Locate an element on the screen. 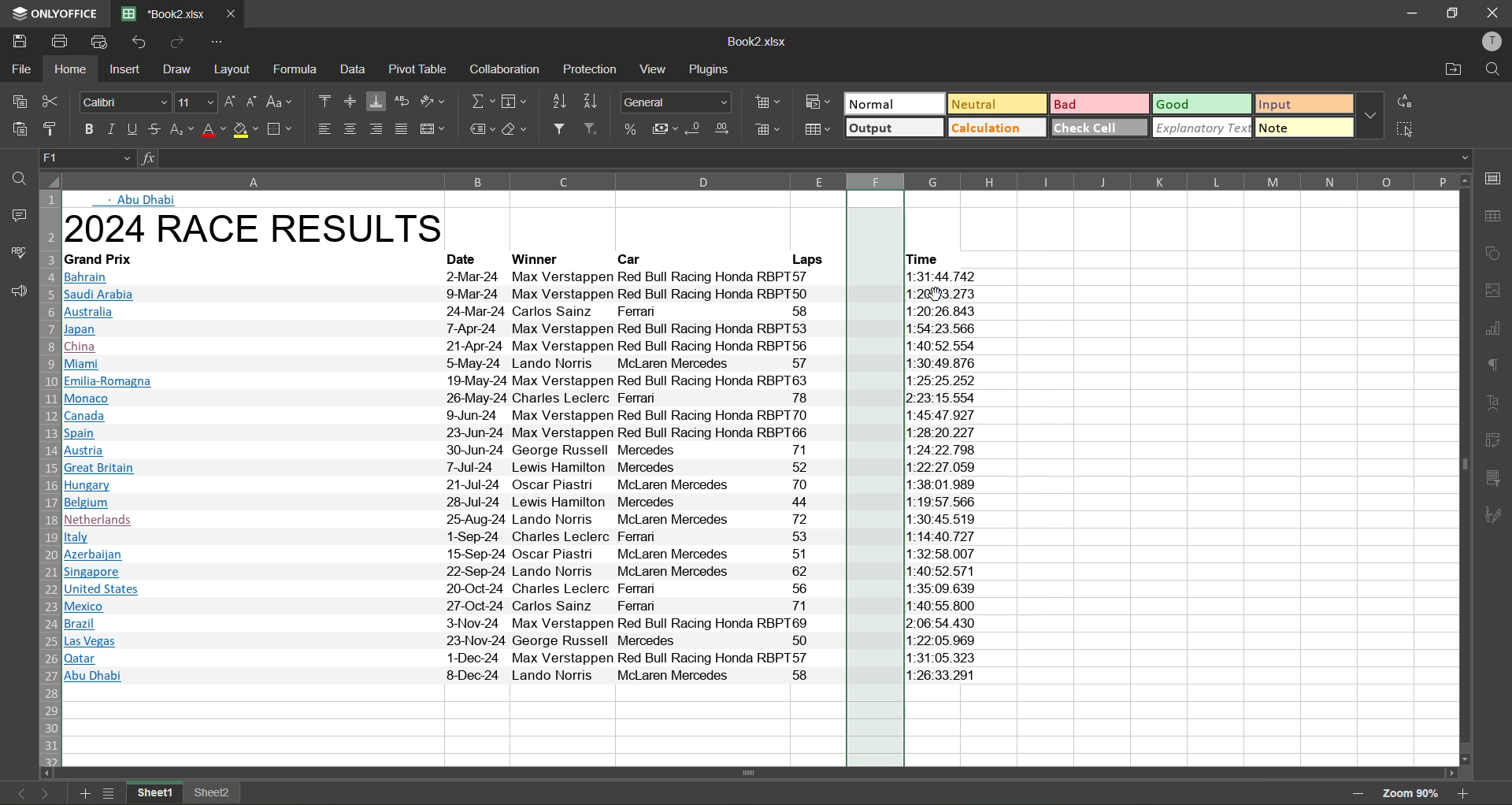 This screenshot has height=805, width=1512. zoom out is located at coordinates (1360, 793).